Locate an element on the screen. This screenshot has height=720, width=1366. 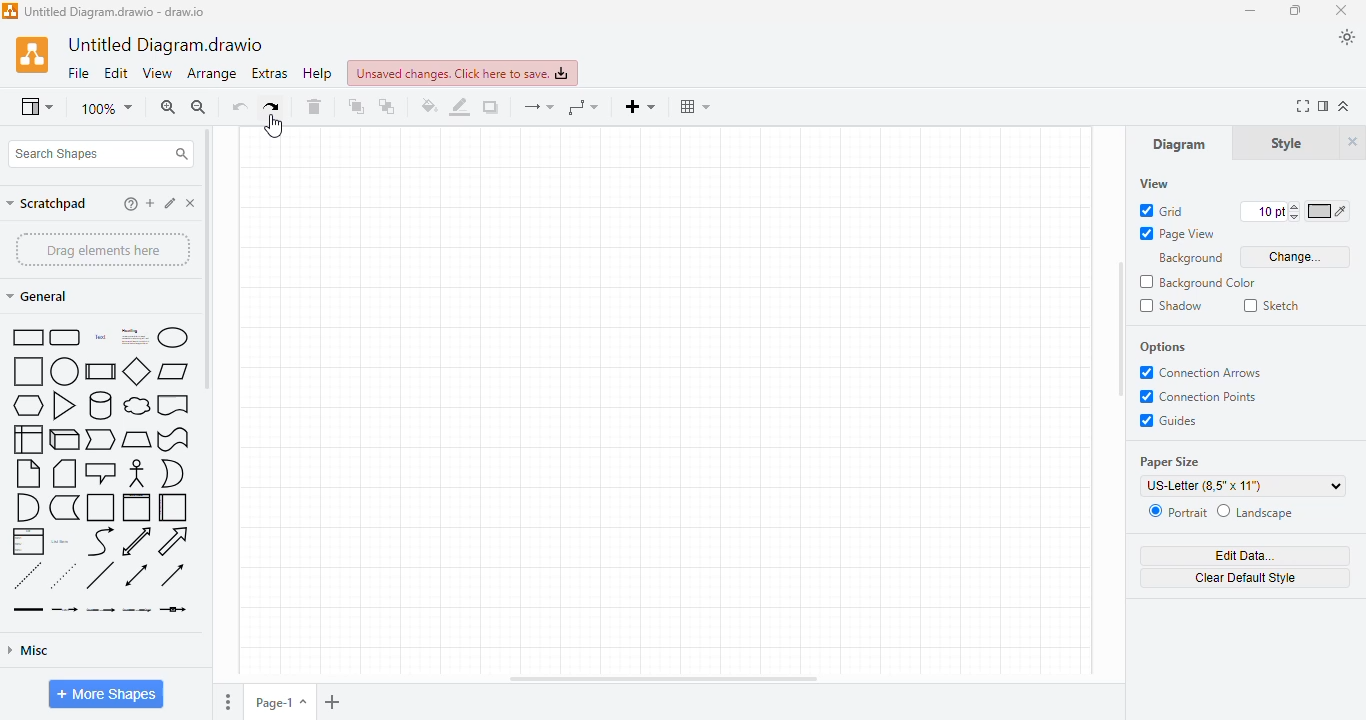
page view is located at coordinates (1177, 233).